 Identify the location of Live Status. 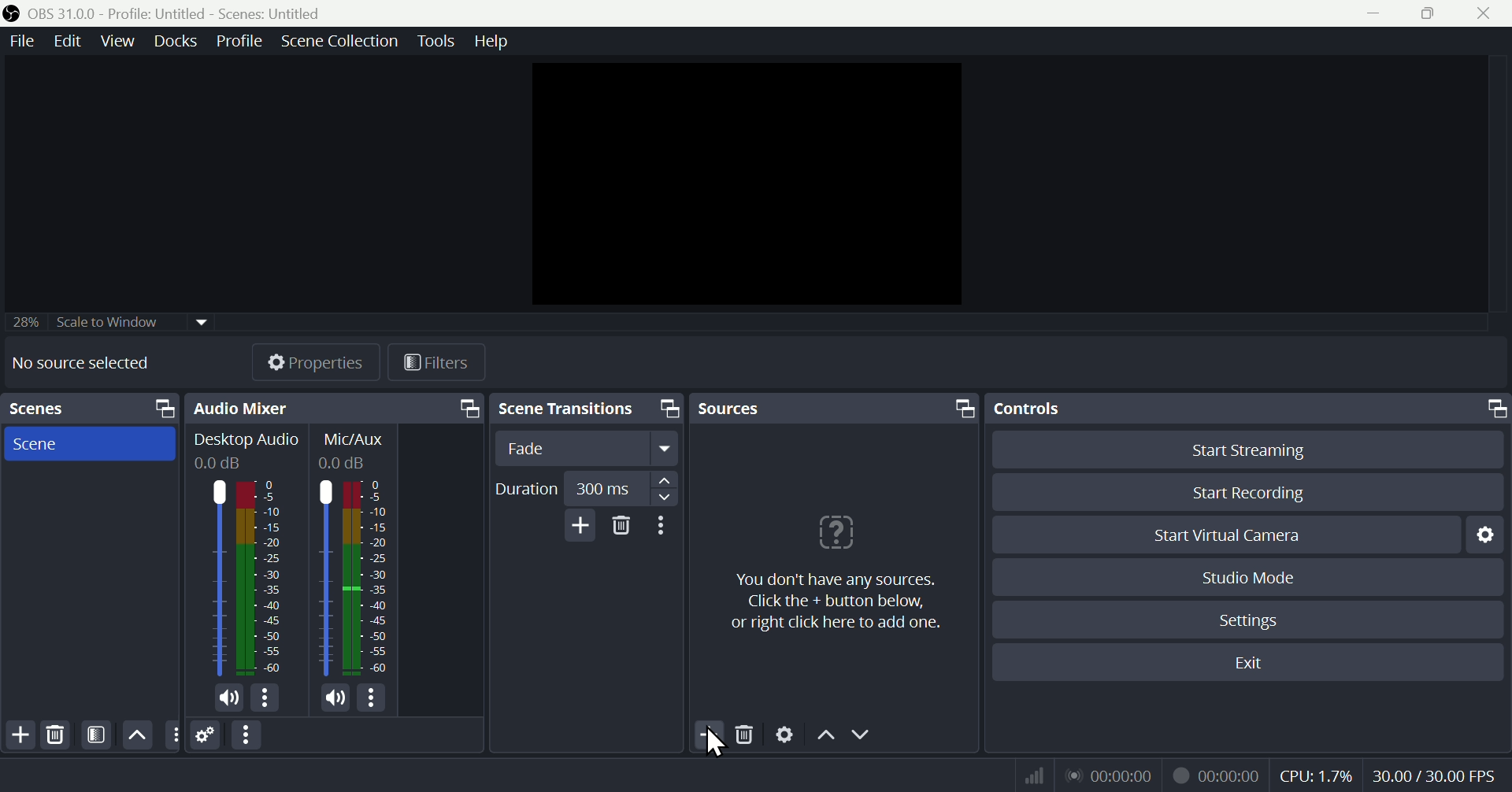
(1108, 774).